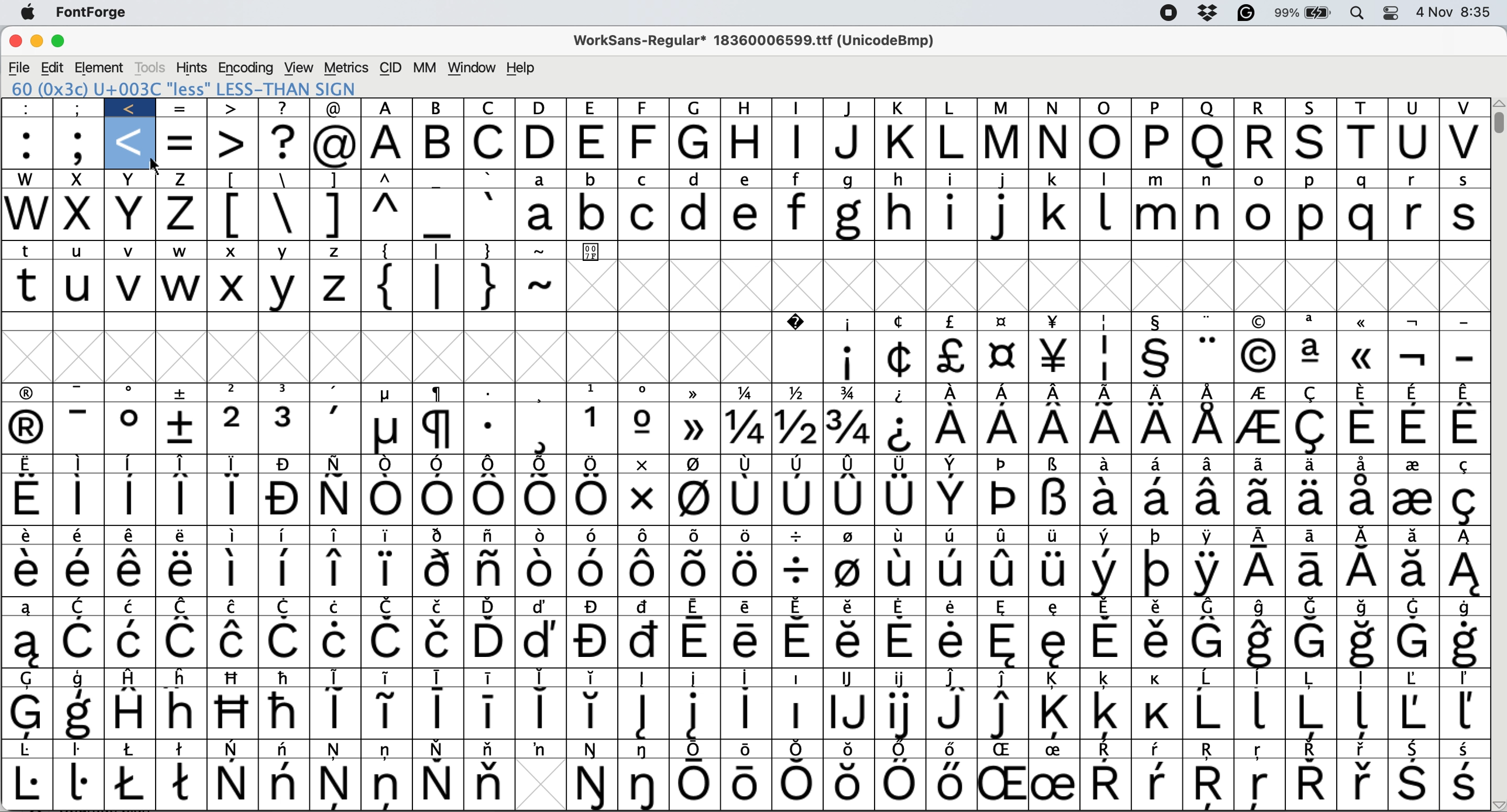 This screenshot has width=1507, height=812. Describe the element at coordinates (1209, 427) in the screenshot. I see `Symbol` at that location.